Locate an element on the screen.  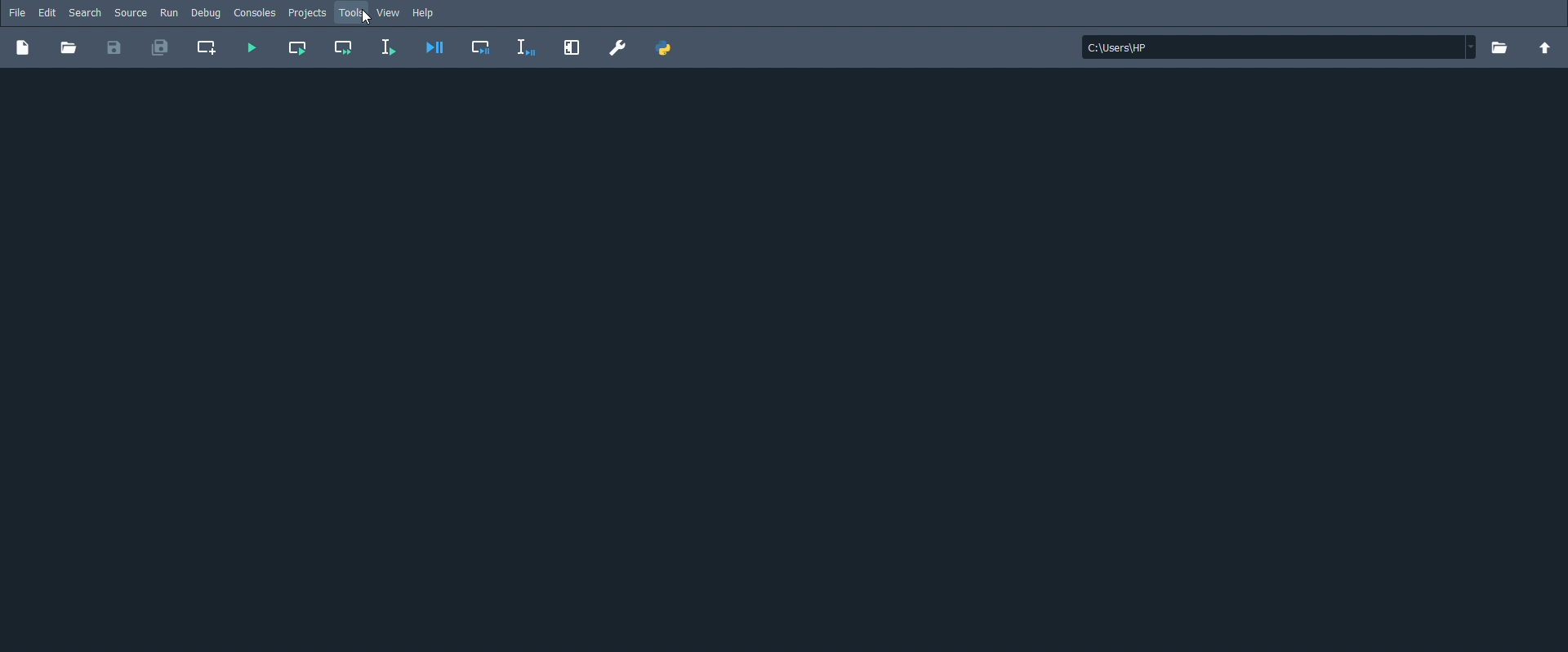
Save file is located at coordinates (115, 48).